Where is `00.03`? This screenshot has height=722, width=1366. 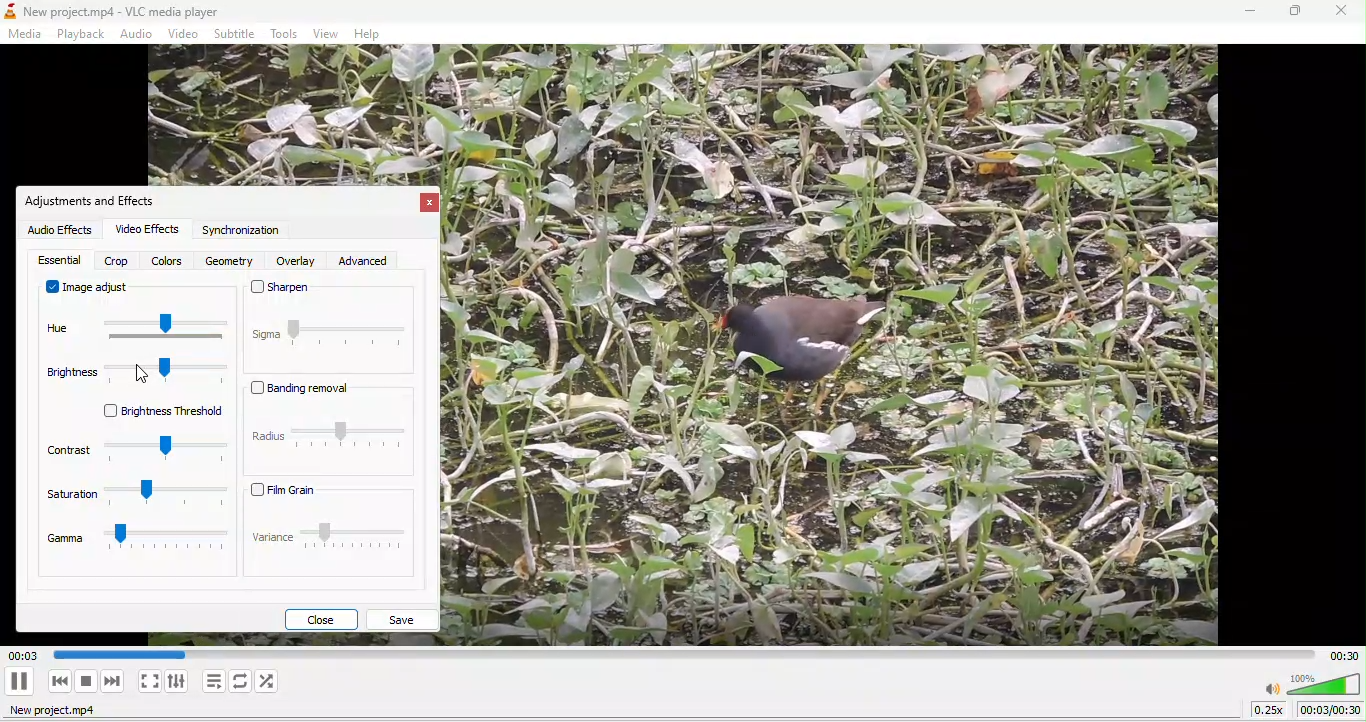 00.03 is located at coordinates (117, 654).